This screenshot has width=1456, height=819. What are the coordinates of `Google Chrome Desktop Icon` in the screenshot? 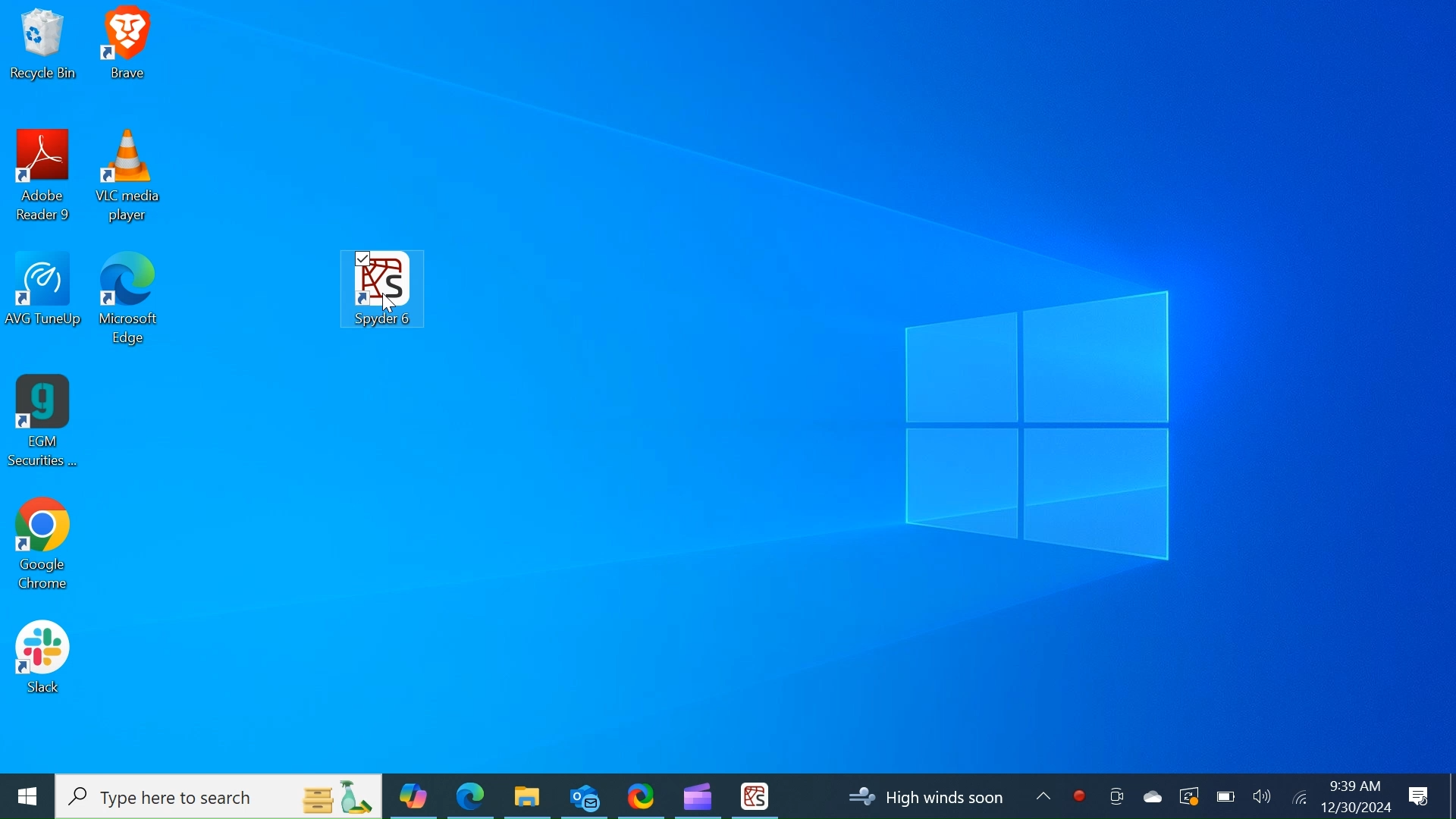 It's located at (42, 548).